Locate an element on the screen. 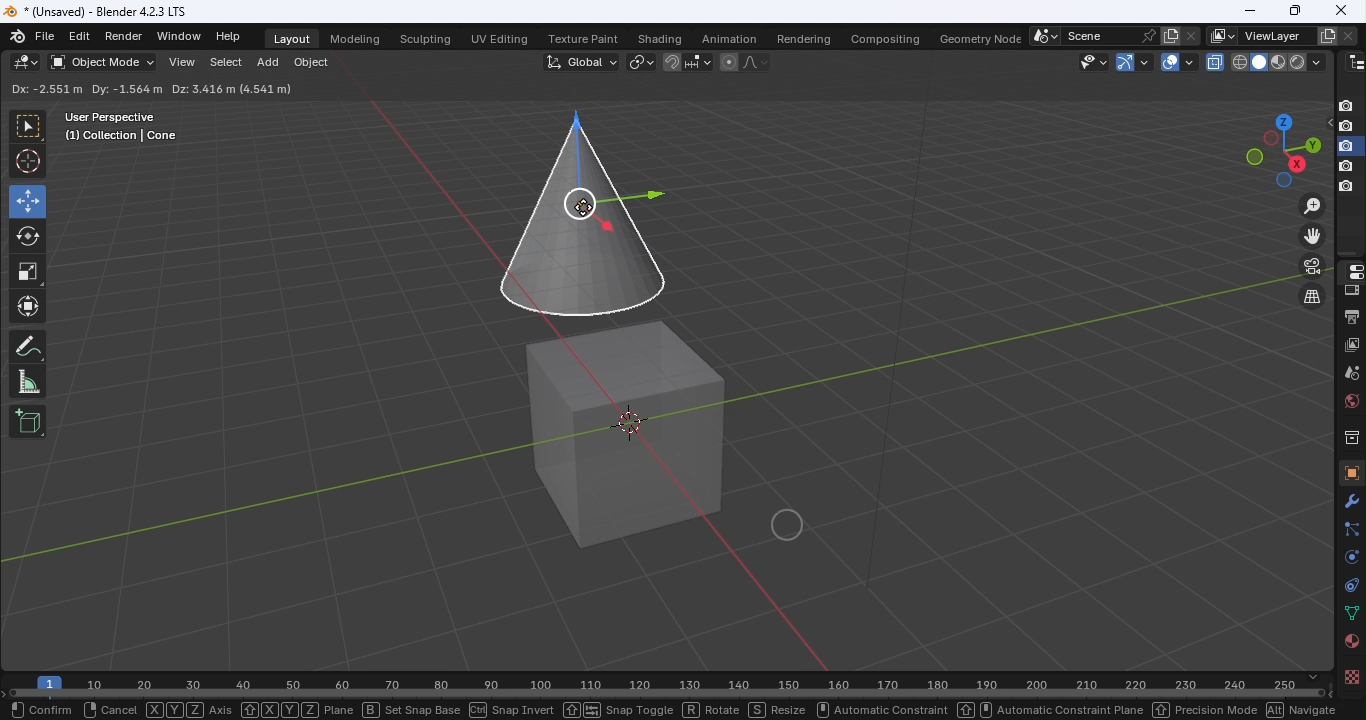  viewpoint shader: solid is located at coordinates (1257, 62).